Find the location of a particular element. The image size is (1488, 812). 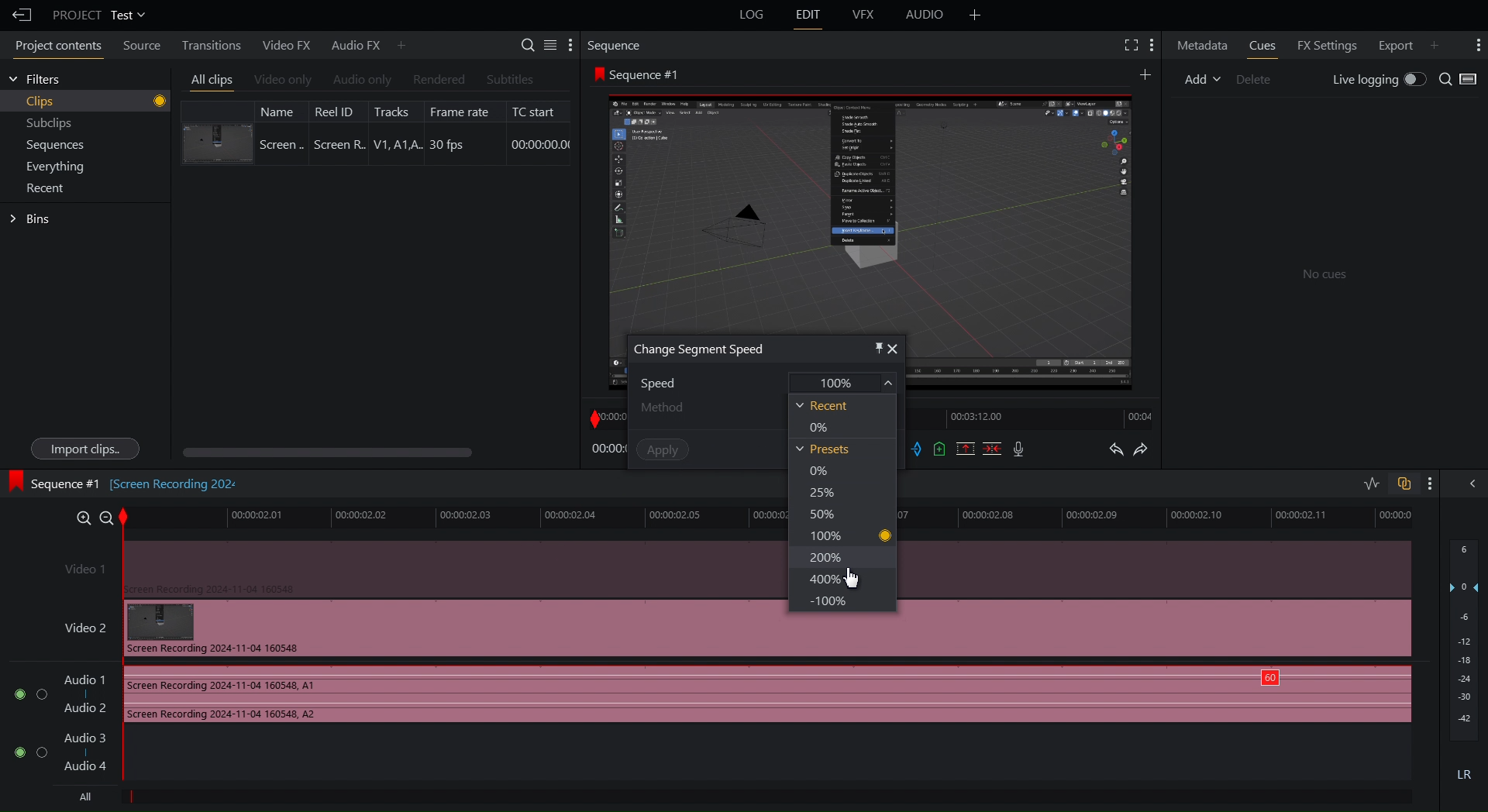

Speed is located at coordinates (770, 382).